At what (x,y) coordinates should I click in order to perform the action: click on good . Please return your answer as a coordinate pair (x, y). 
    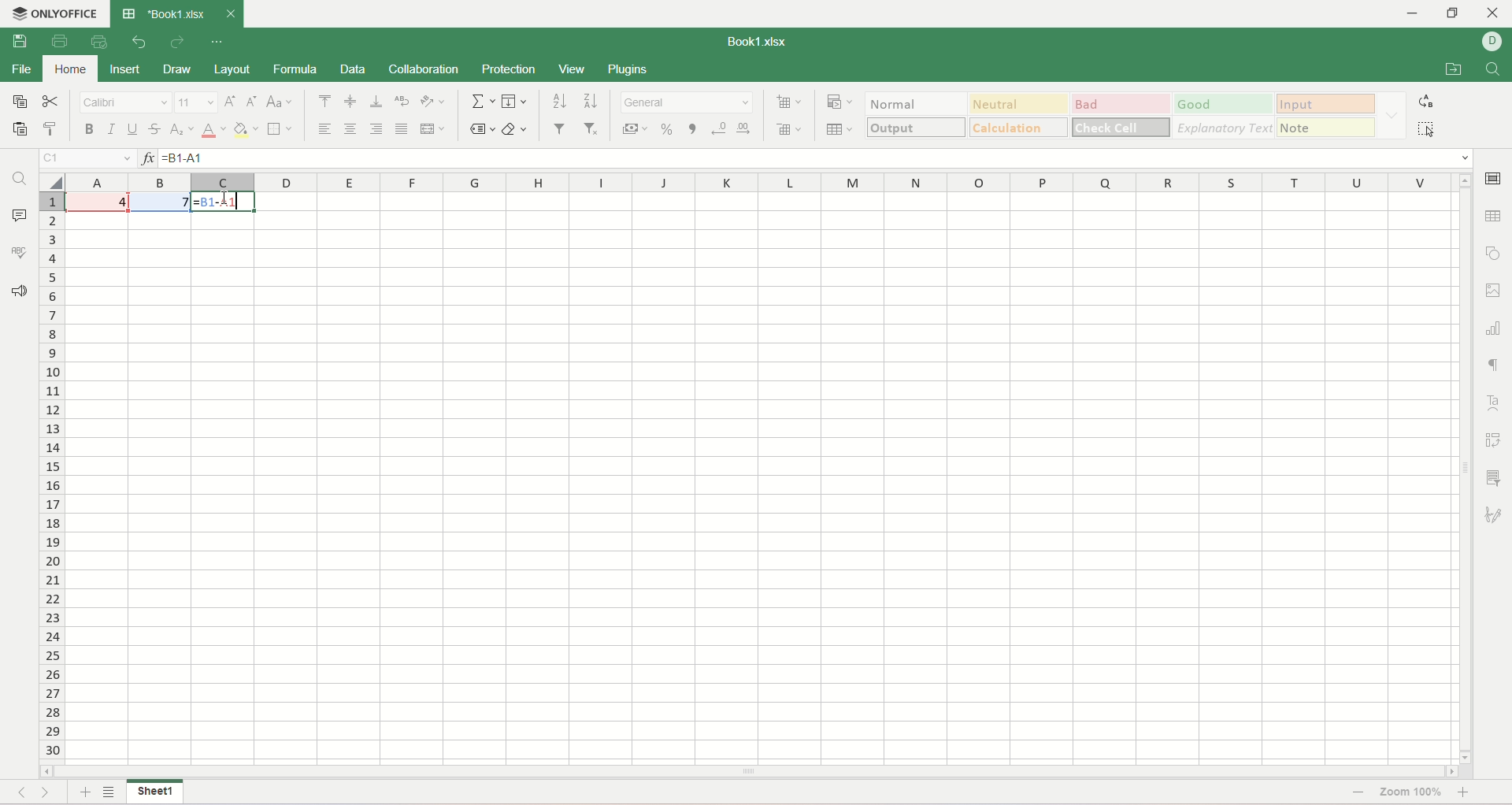
    Looking at the image, I should click on (1225, 104).